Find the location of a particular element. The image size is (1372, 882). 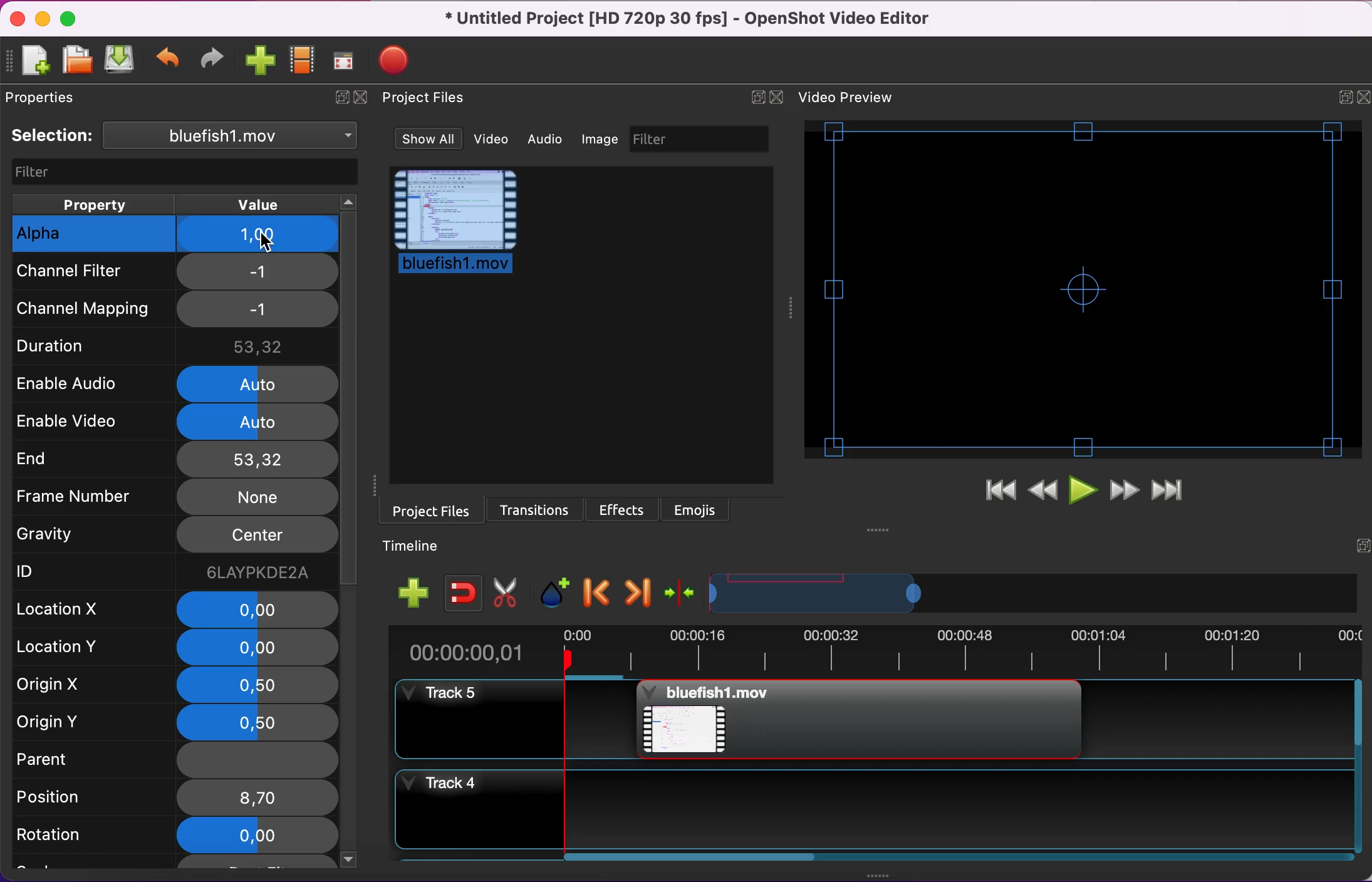

new project is located at coordinates (33, 64).